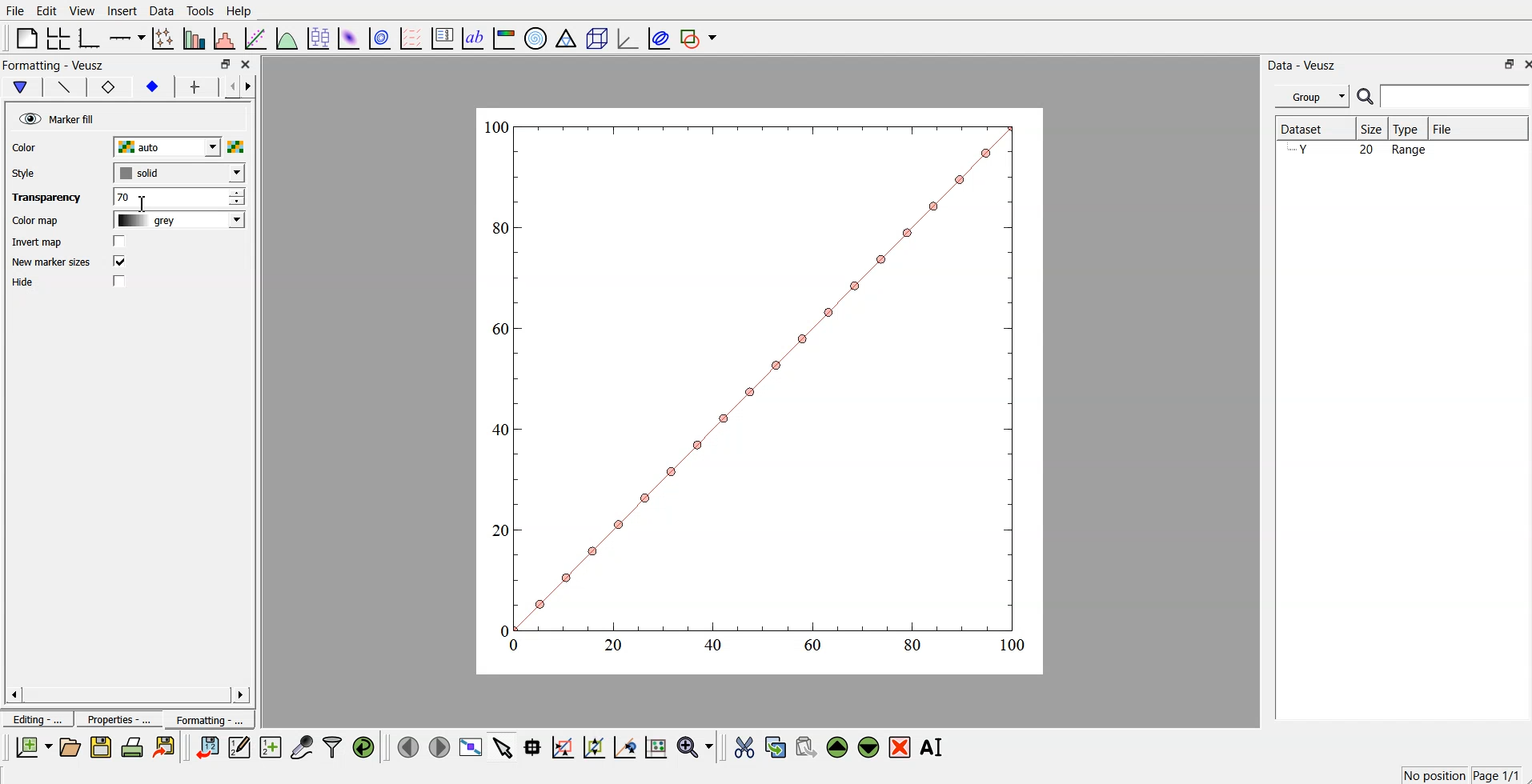 The image size is (1532, 784). Describe the element at coordinates (118, 262) in the screenshot. I see `checkbox` at that location.